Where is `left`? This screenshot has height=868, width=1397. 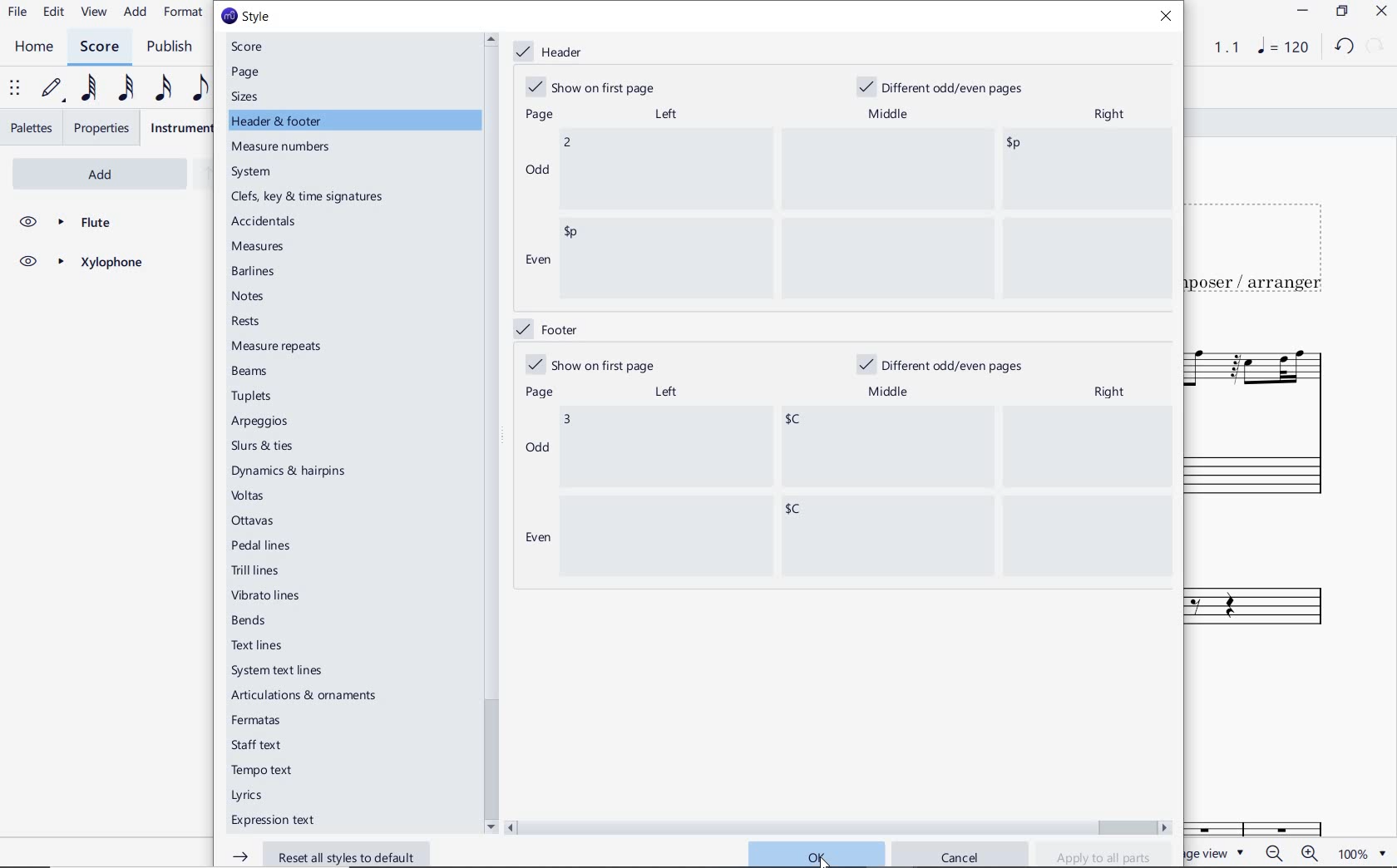 left is located at coordinates (664, 114).